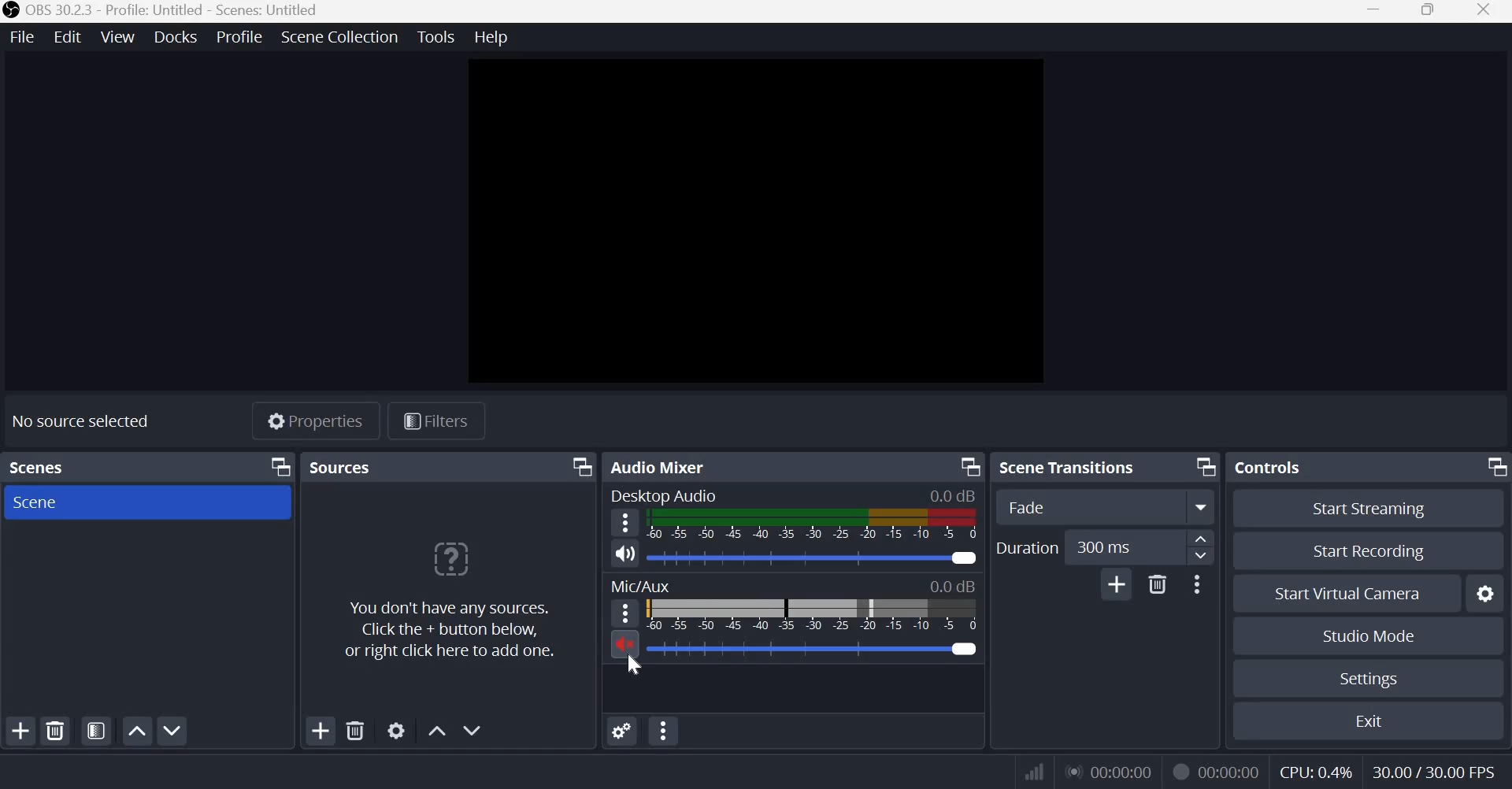  Describe the element at coordinates (662, 469) in the screenshot. I see `Audio Mixer` at that location.